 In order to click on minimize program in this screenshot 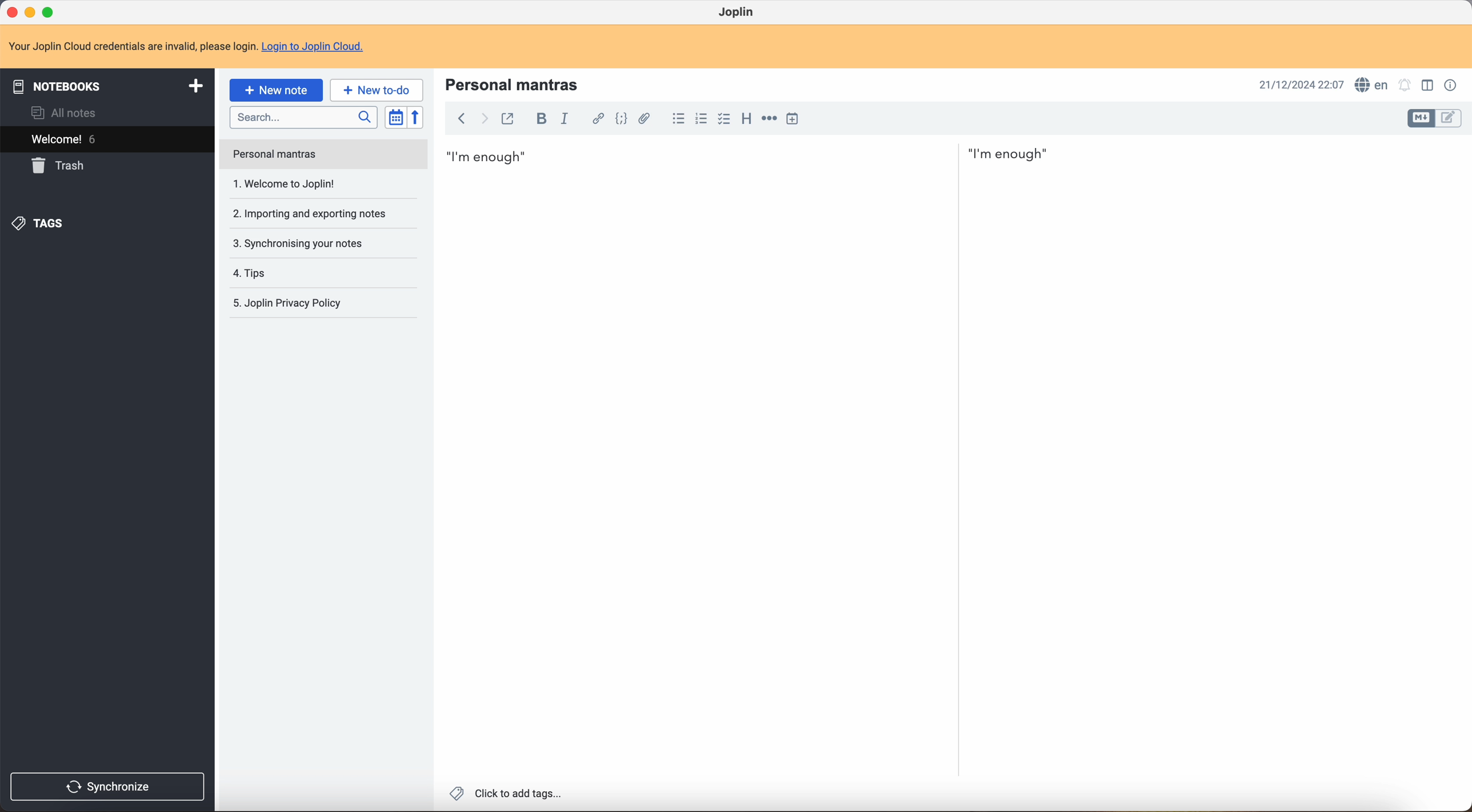, I will do `click(30, 11)`.